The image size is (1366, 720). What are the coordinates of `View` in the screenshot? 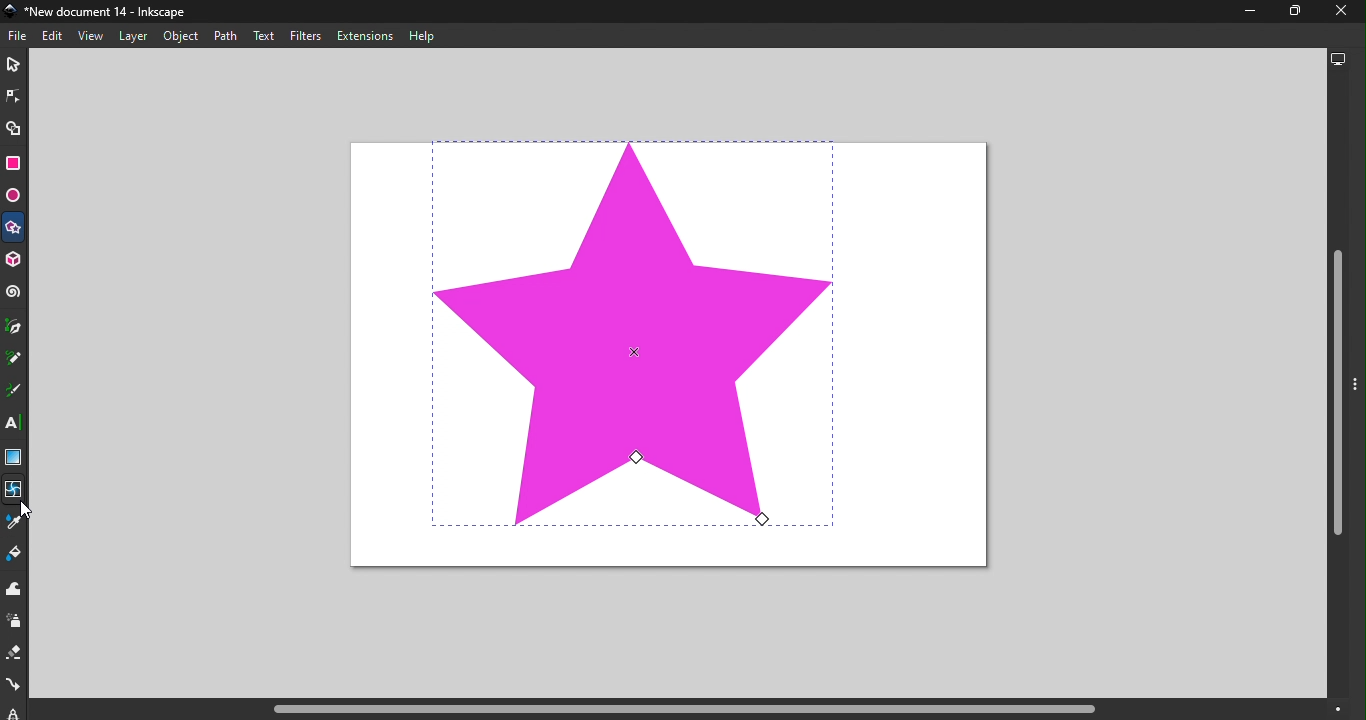 It's located at (93, 36).